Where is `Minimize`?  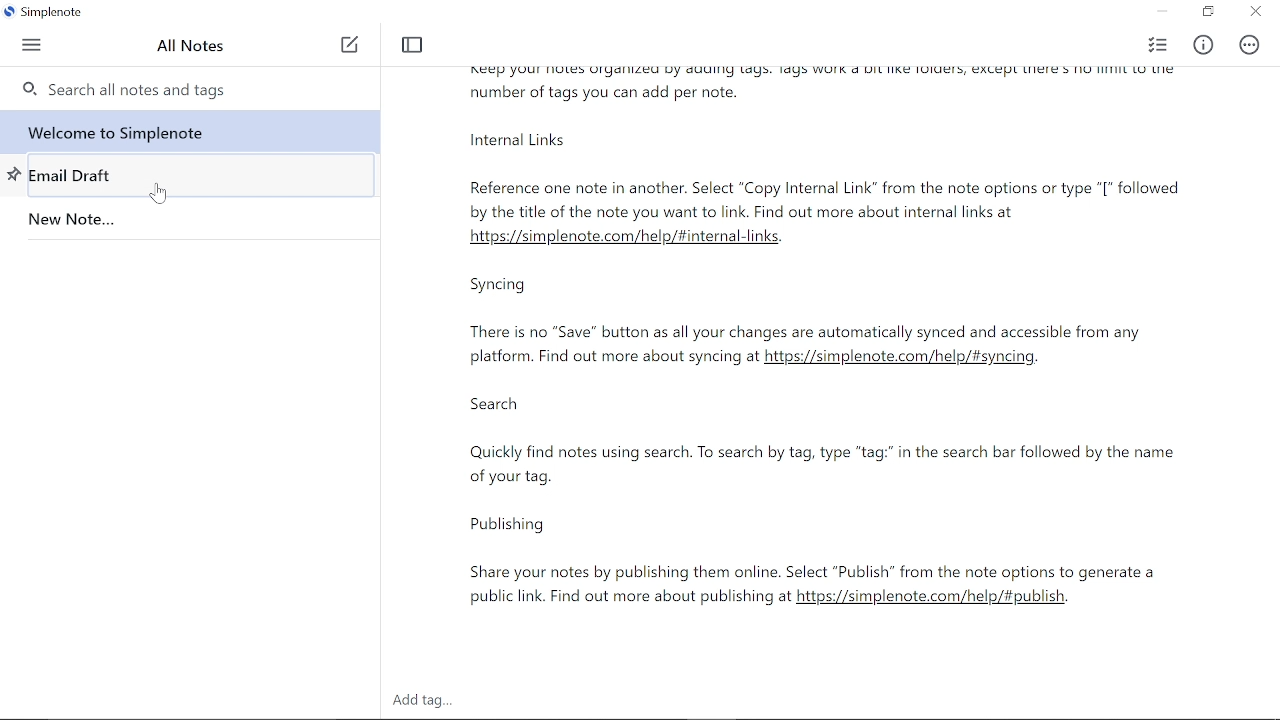
Minimize is located at coordinates (1162, 12).